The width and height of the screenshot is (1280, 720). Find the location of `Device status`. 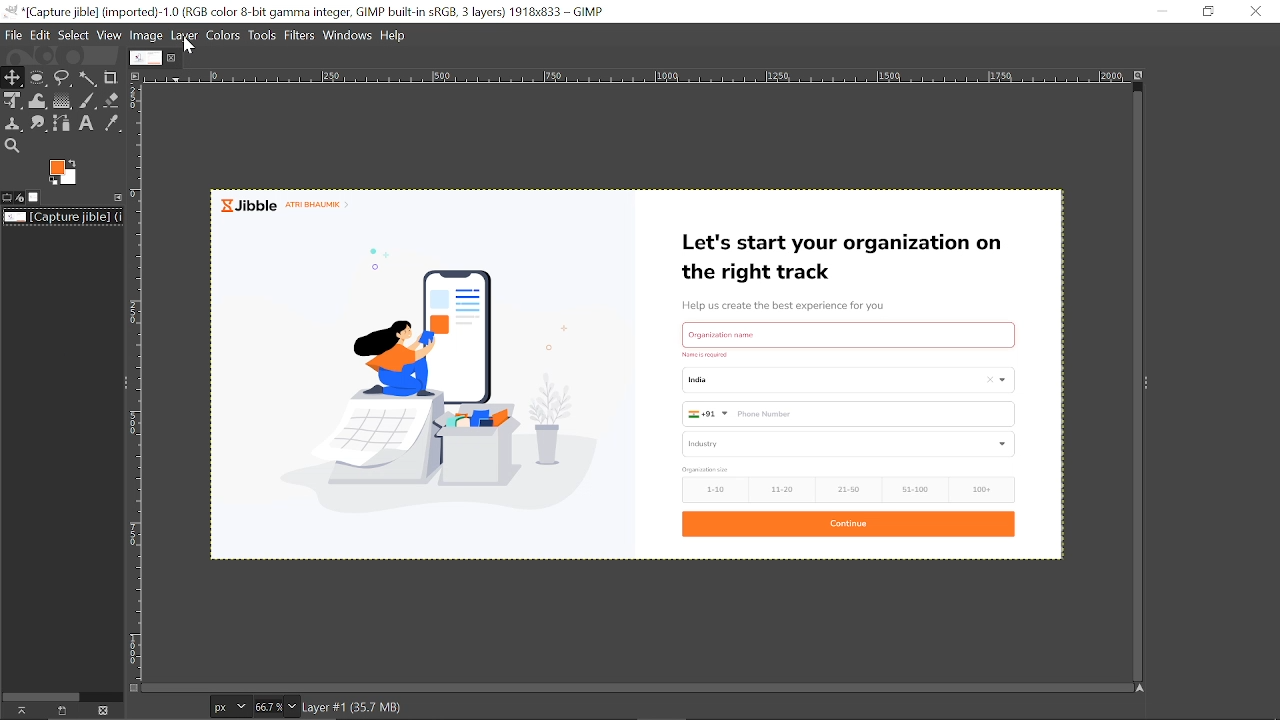

Device status is located at coordinates (20, 198).